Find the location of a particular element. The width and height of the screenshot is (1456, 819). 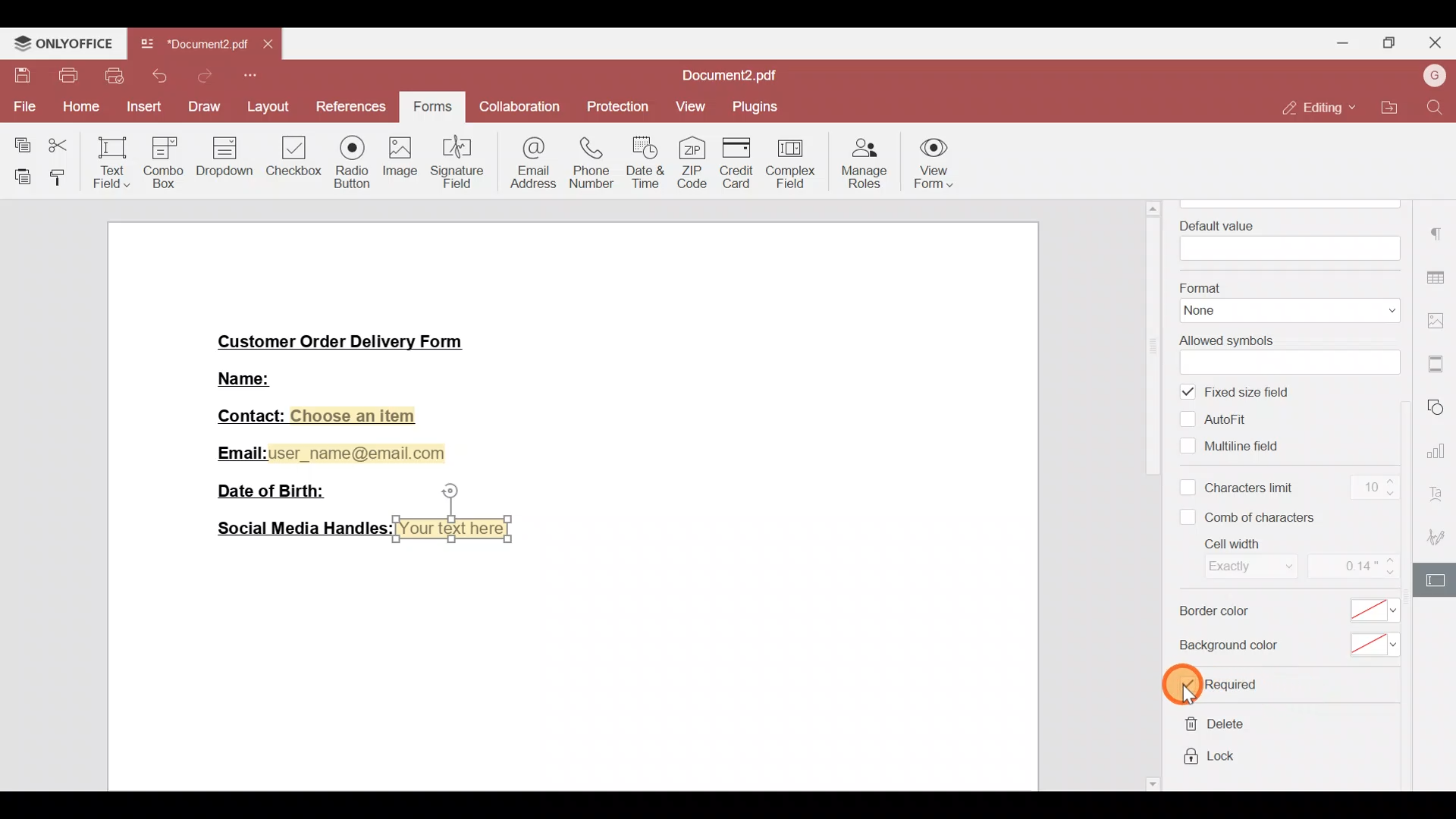

Complex field is located at coordinates (795, 160).